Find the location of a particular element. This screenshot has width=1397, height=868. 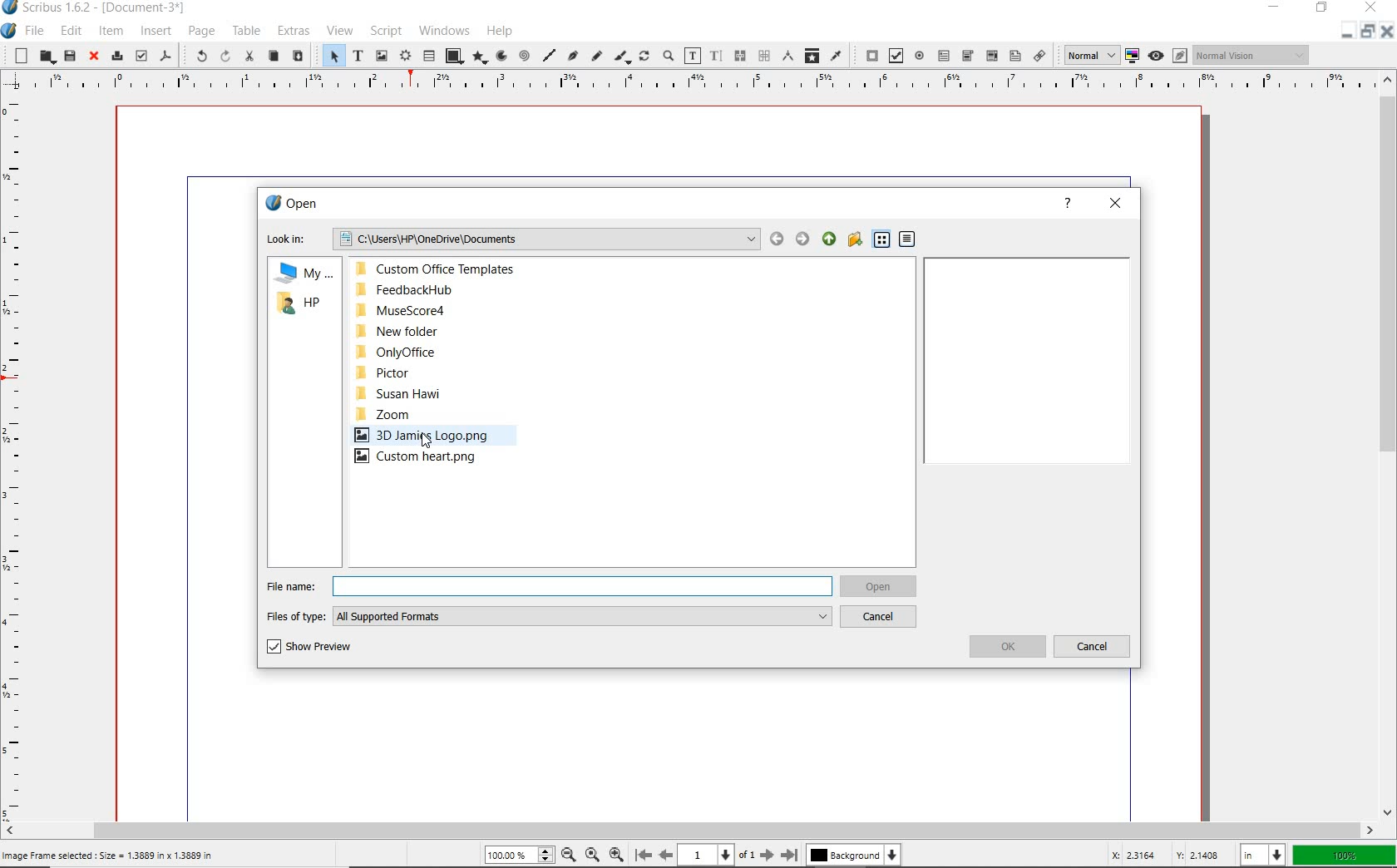

zoom level is located at coordinates (521, 857).